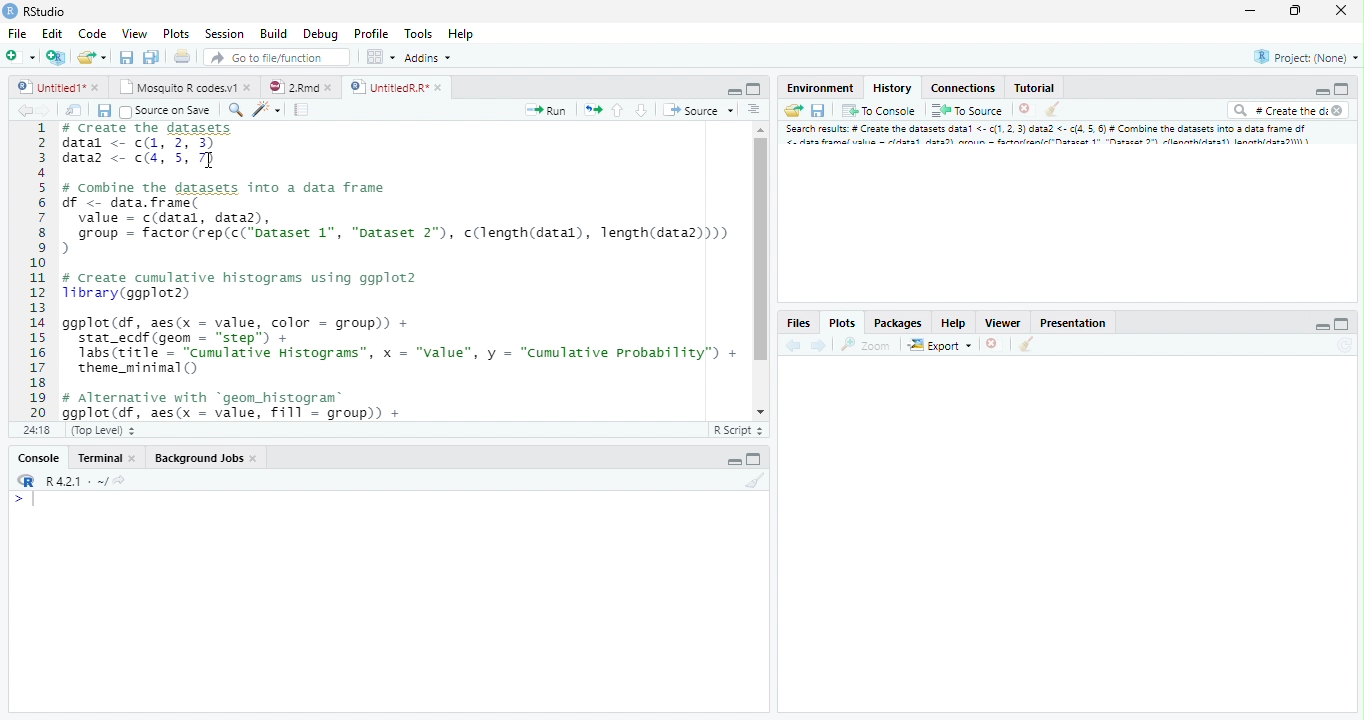 This screenshot has height=720, width=1364. What do you see at coordinates (72, 110) in the screenshot?
I see `Show in the new window` at bounding box center [72, 110].